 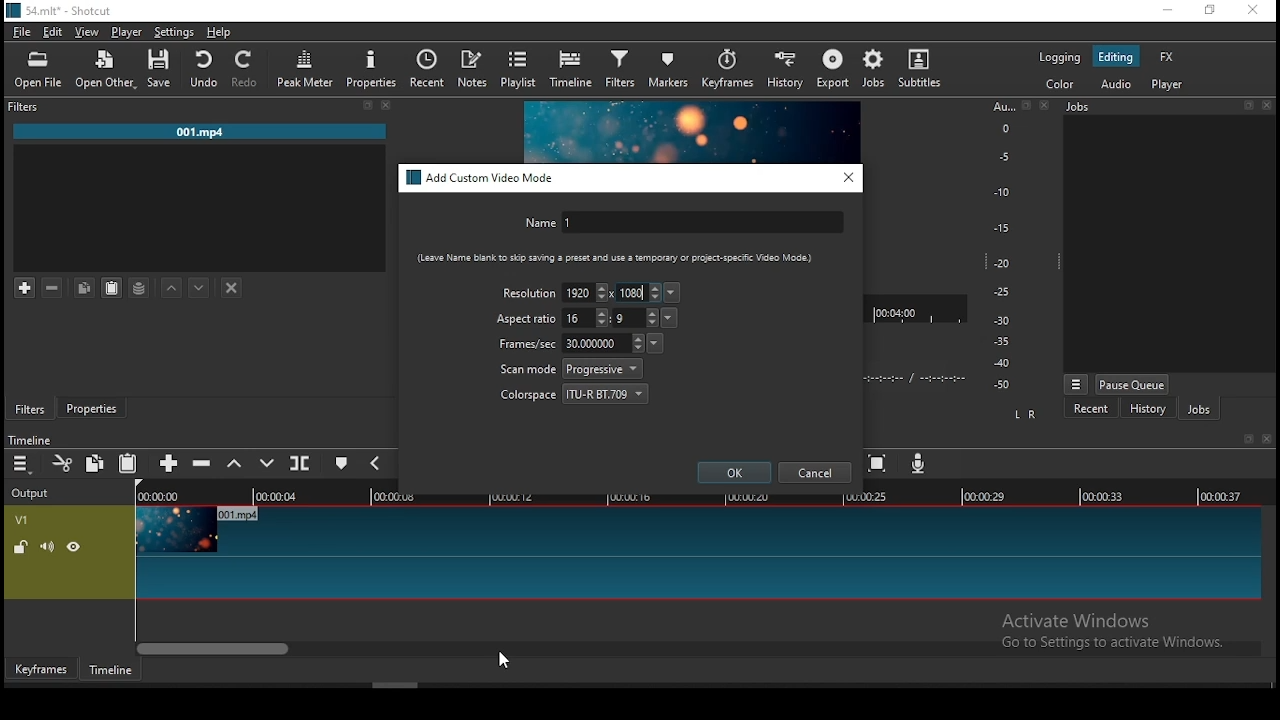 What do you see at coordinates (863, 497) in the screenshot?
I see `00:00:25` at bounding box center [863, 497].